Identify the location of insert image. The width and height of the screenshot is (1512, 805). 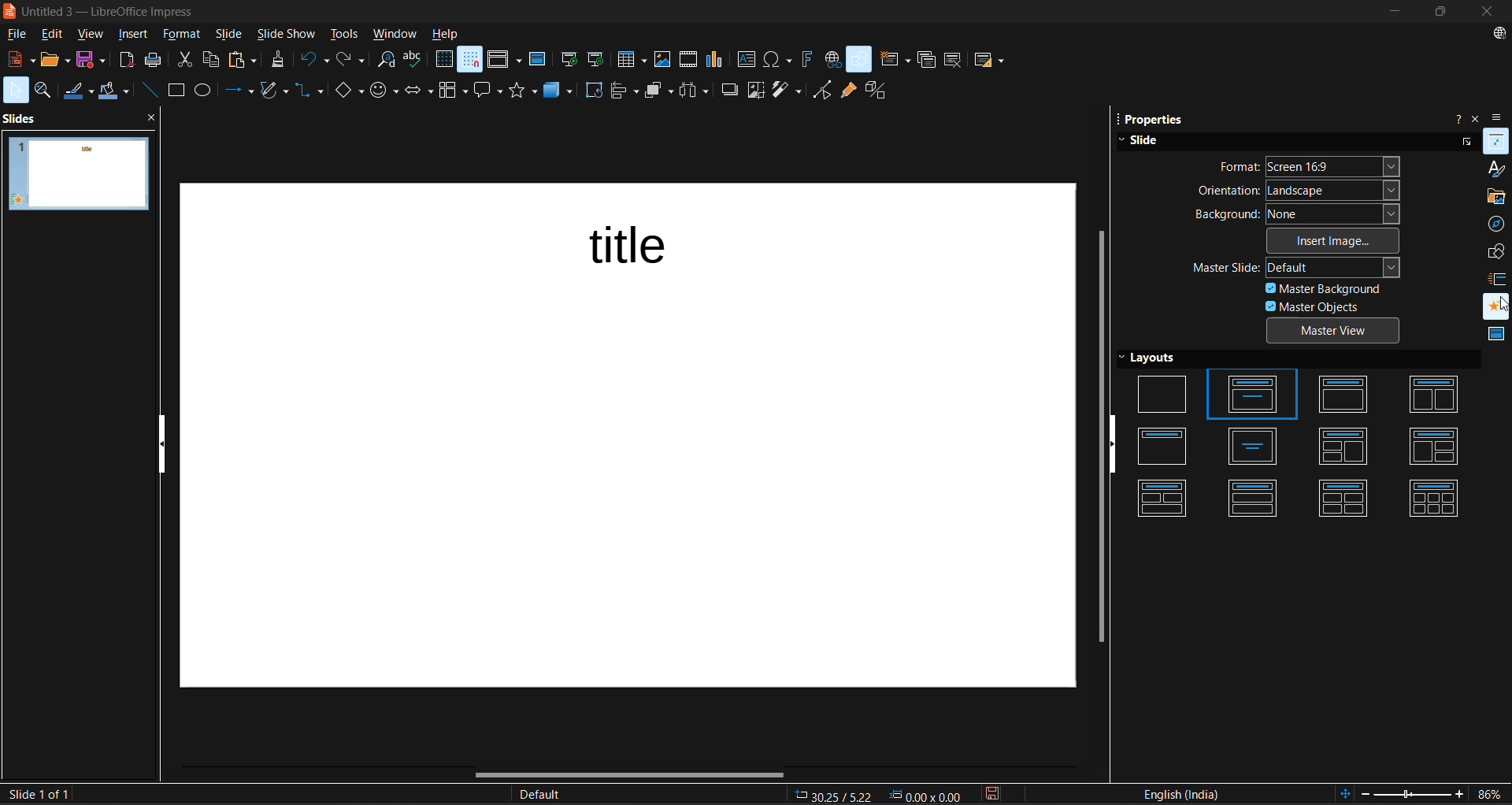
(1335, 239).